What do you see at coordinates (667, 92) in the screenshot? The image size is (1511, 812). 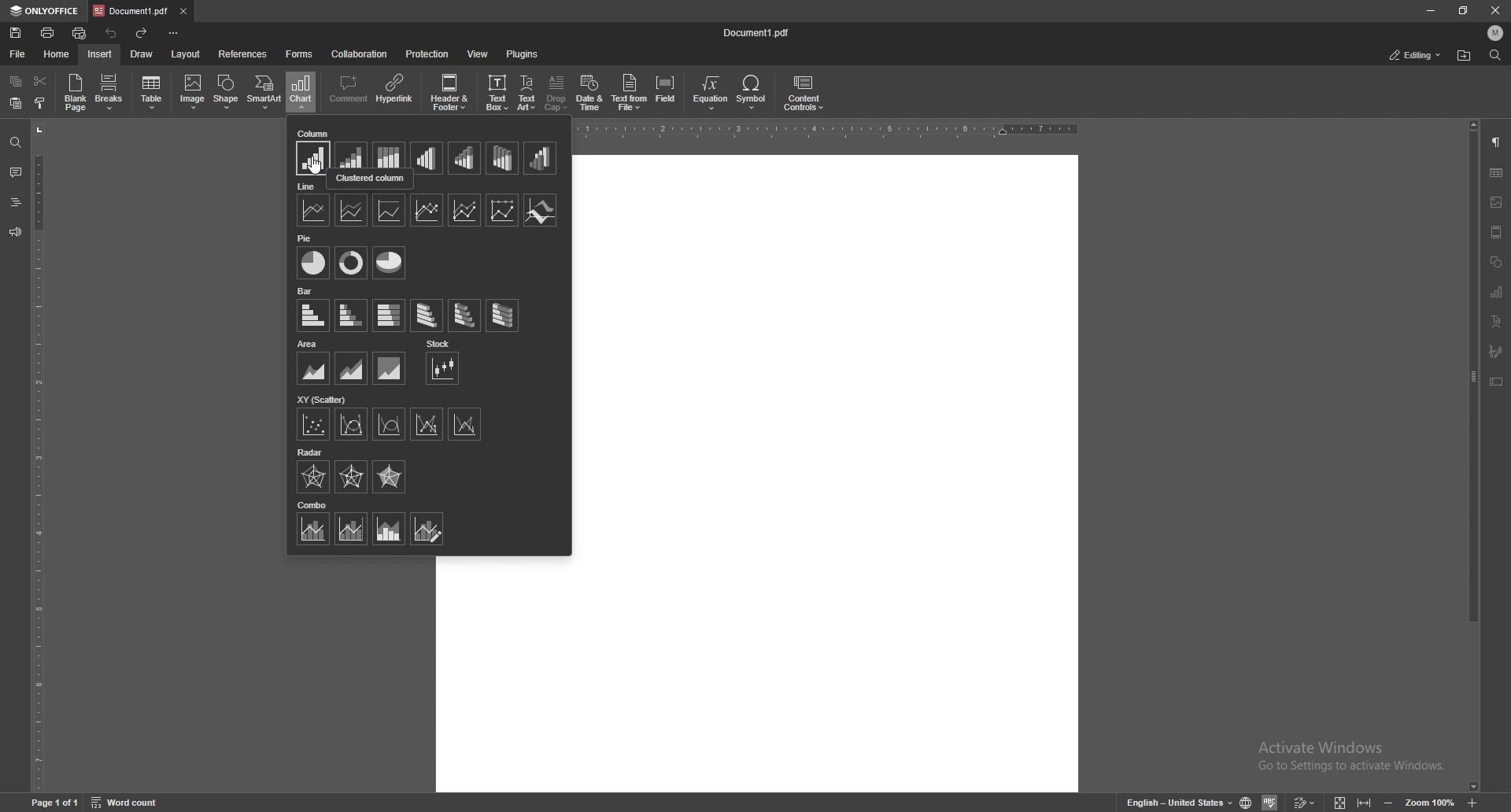 I see `field` at bounding box center [667, 92].